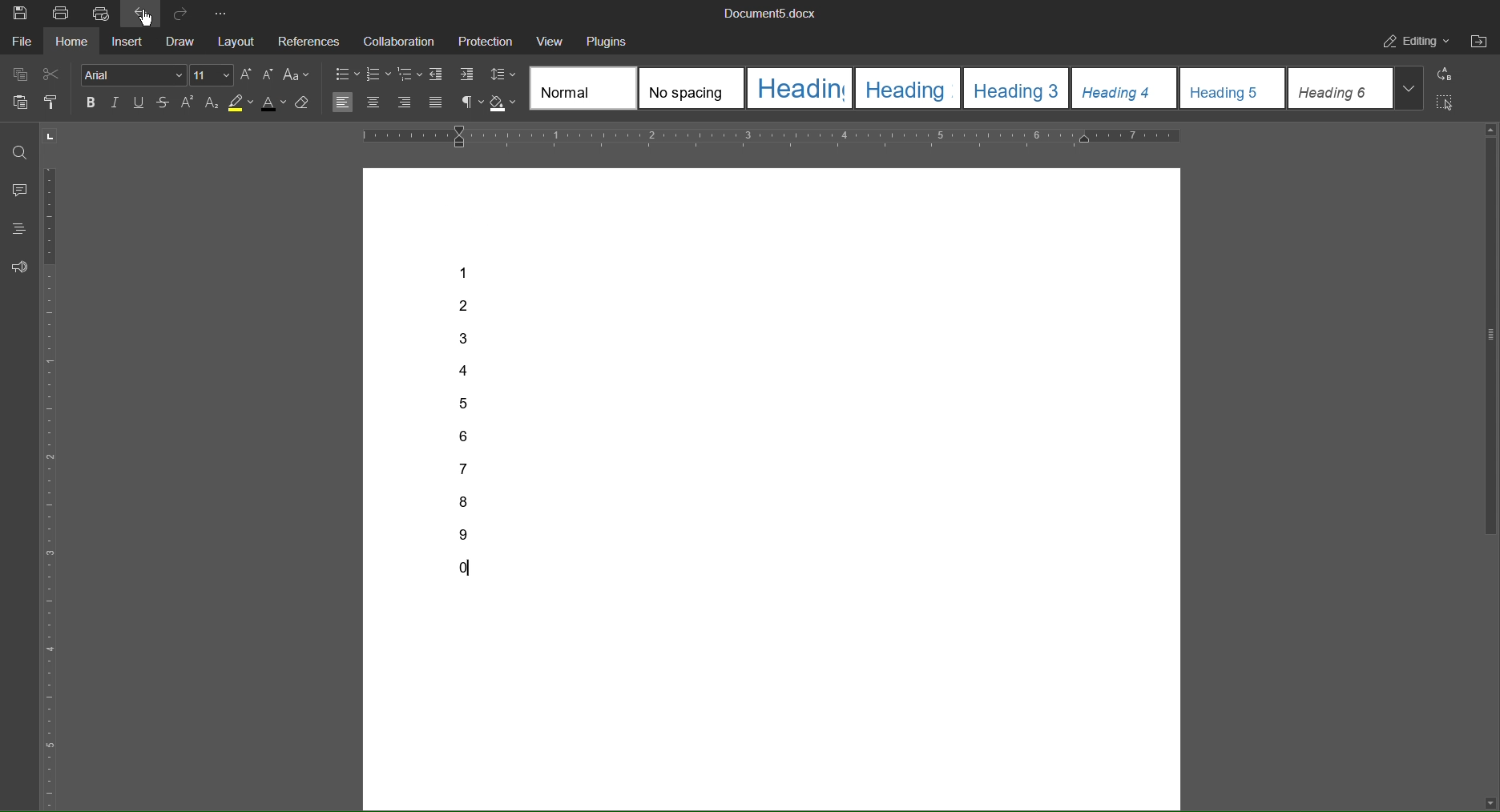  Describe the element at coordinates (466, 74) in the screenshot. I see `Increase Indent` at that location.